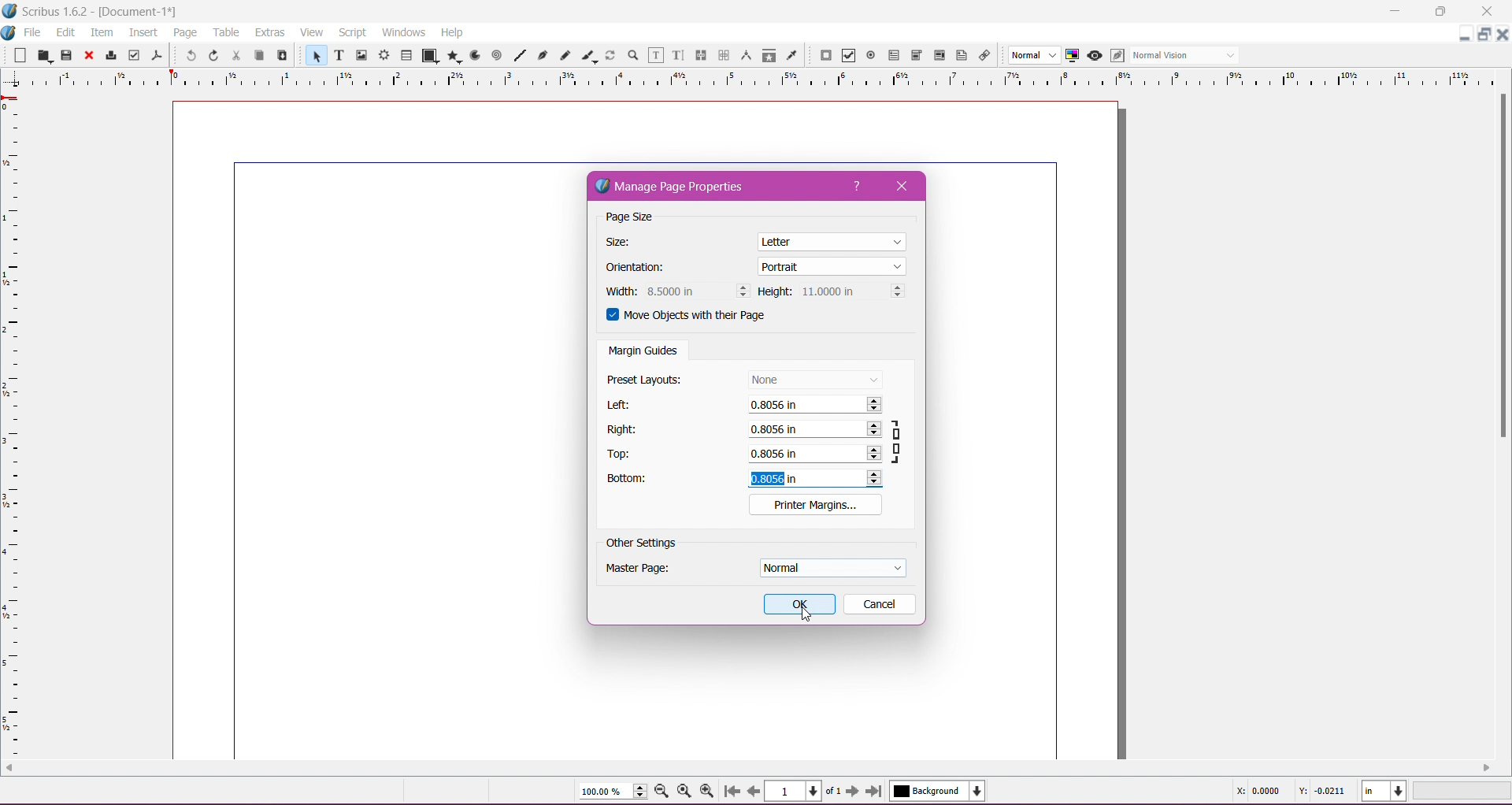 The image size is (1512, 805). What do you see at coordinates (662, 792) in the screenshot?
I see `Zoom out by the stepping value in Tools preferences` at bounding box center [662, 792].